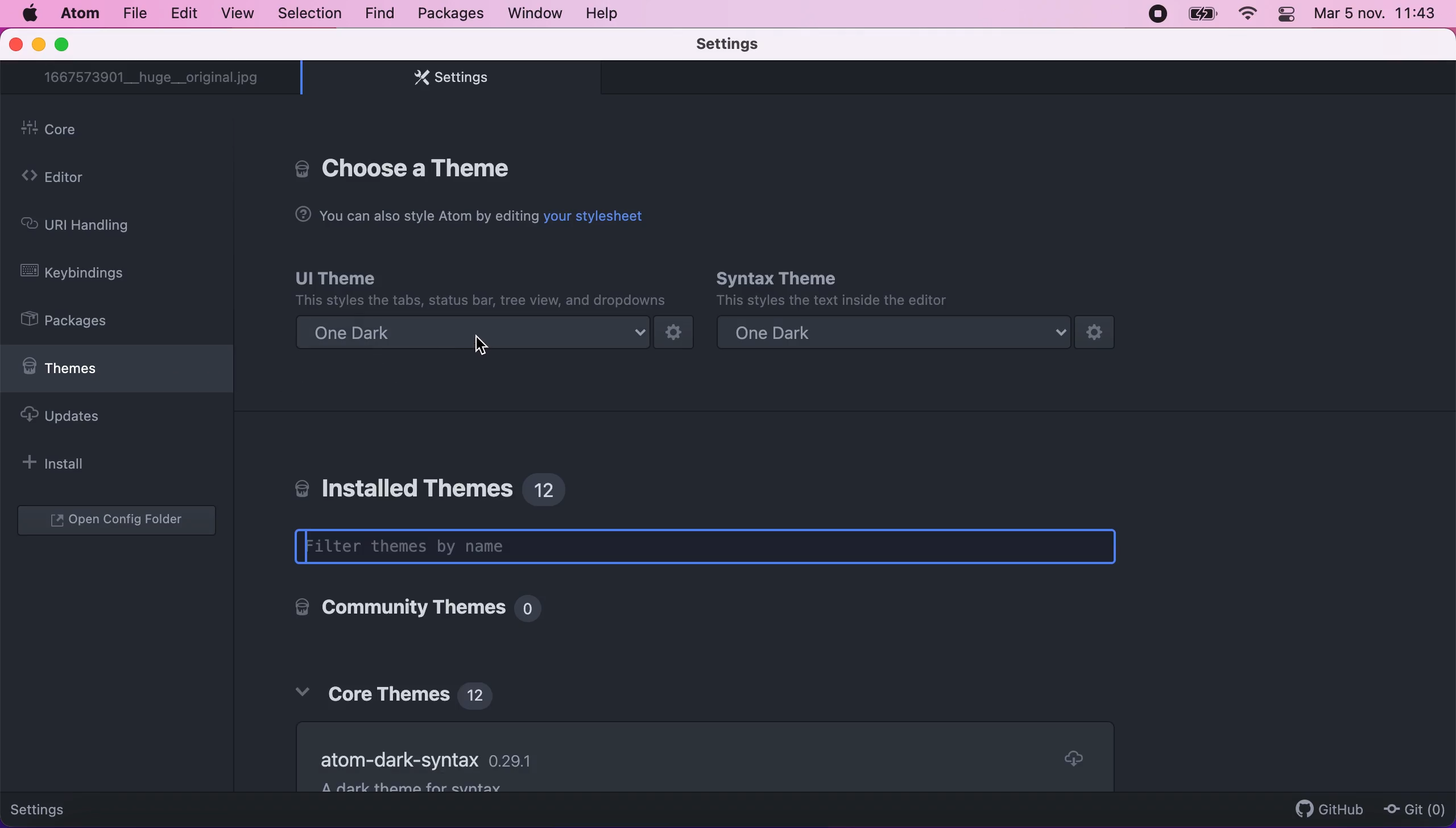 The width and height of the screenshot is (1456, 828). I want to click on community themes, so click(411, 610).